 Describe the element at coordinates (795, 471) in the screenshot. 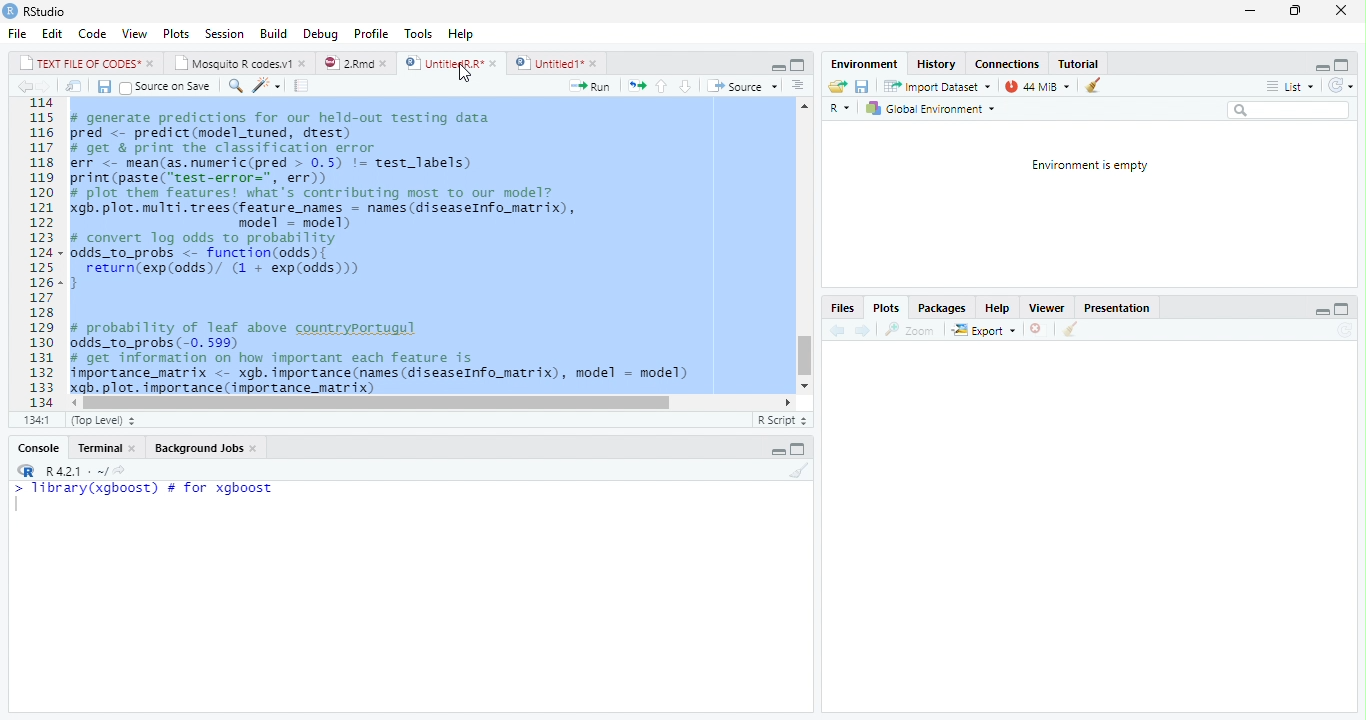

I see `Clean` at that location.